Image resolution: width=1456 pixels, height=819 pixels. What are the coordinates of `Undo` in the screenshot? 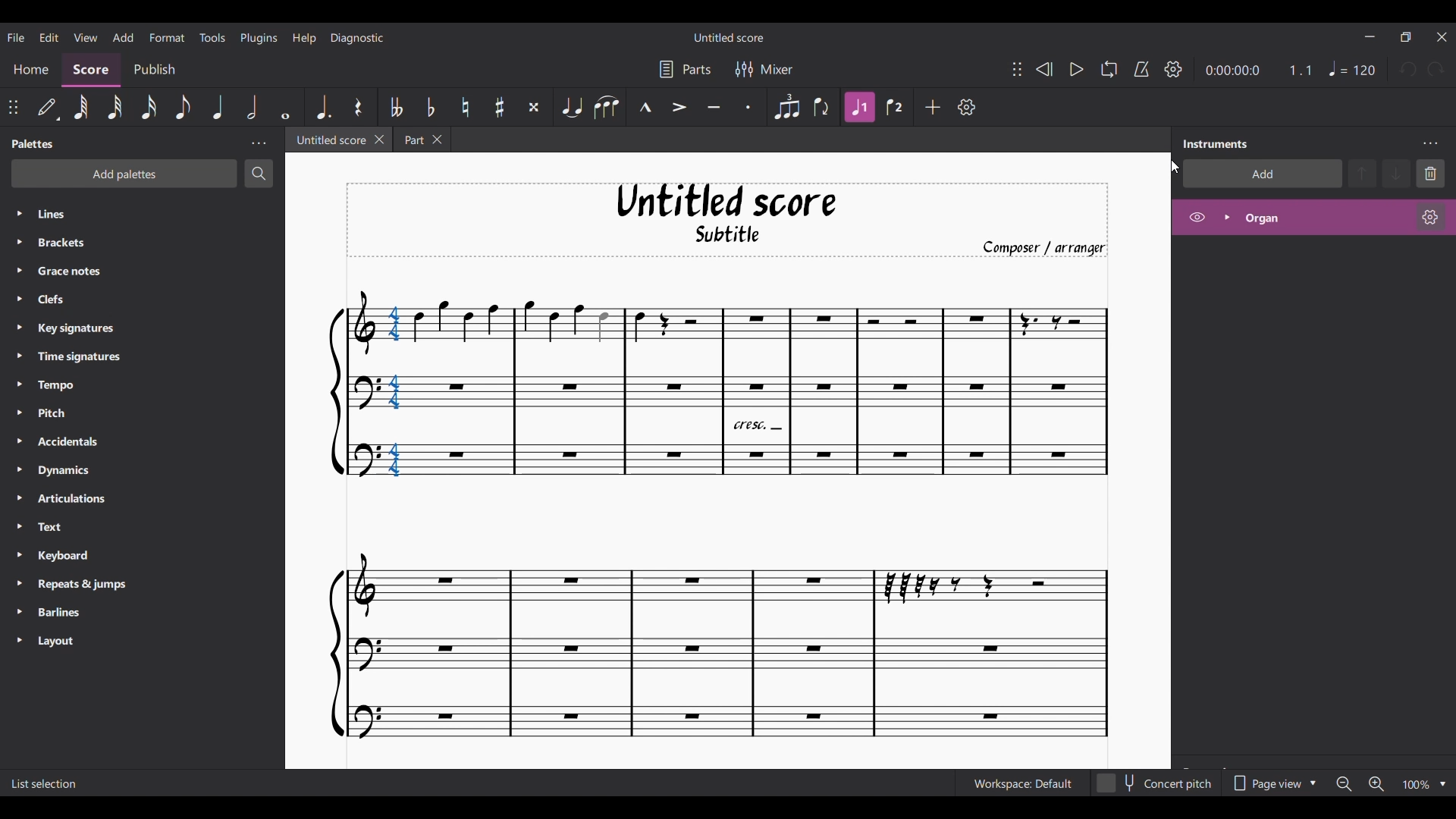 It's located at (1410, 69).